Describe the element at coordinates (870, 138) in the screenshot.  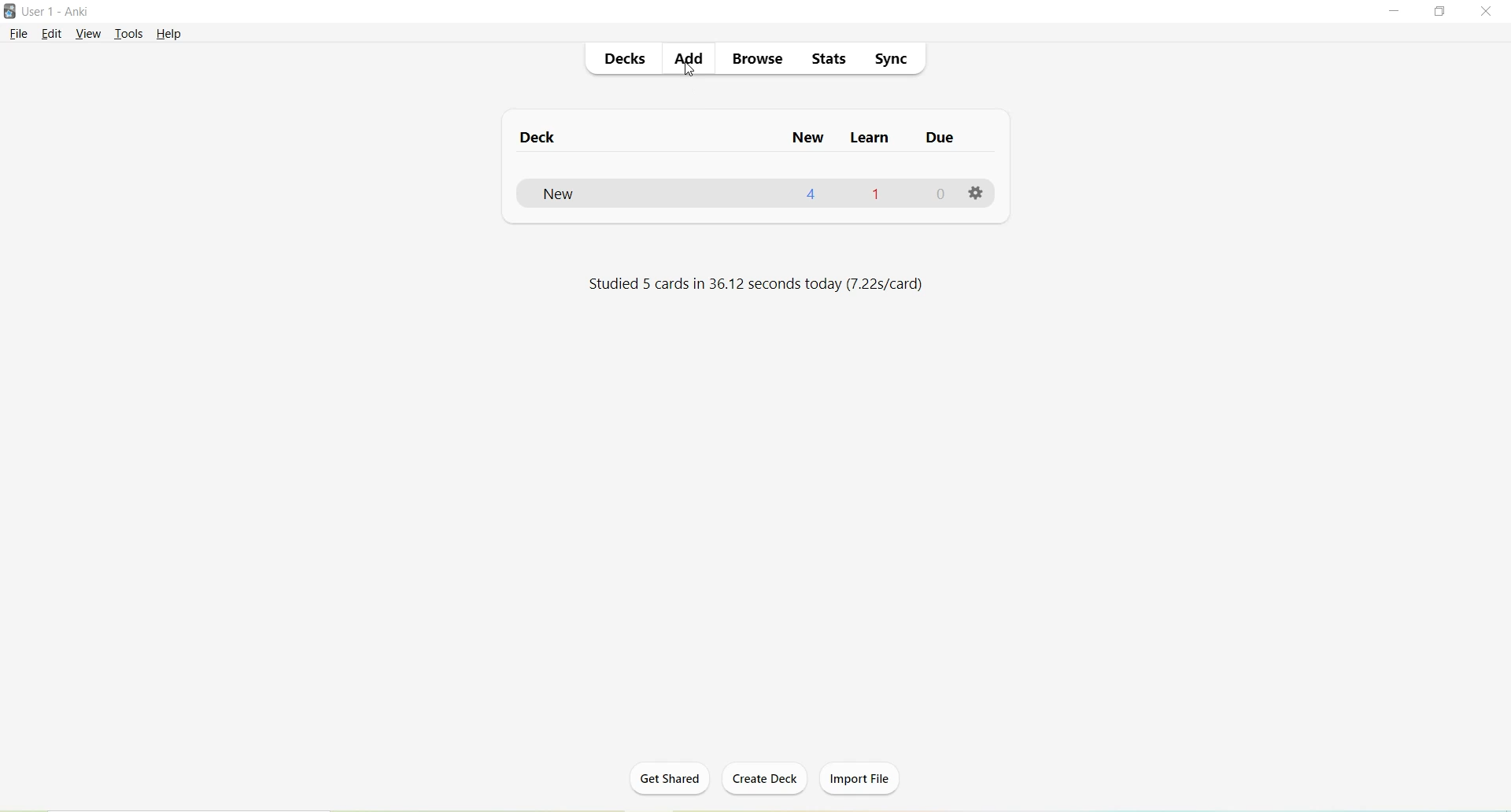
I see `Learn` at that location.